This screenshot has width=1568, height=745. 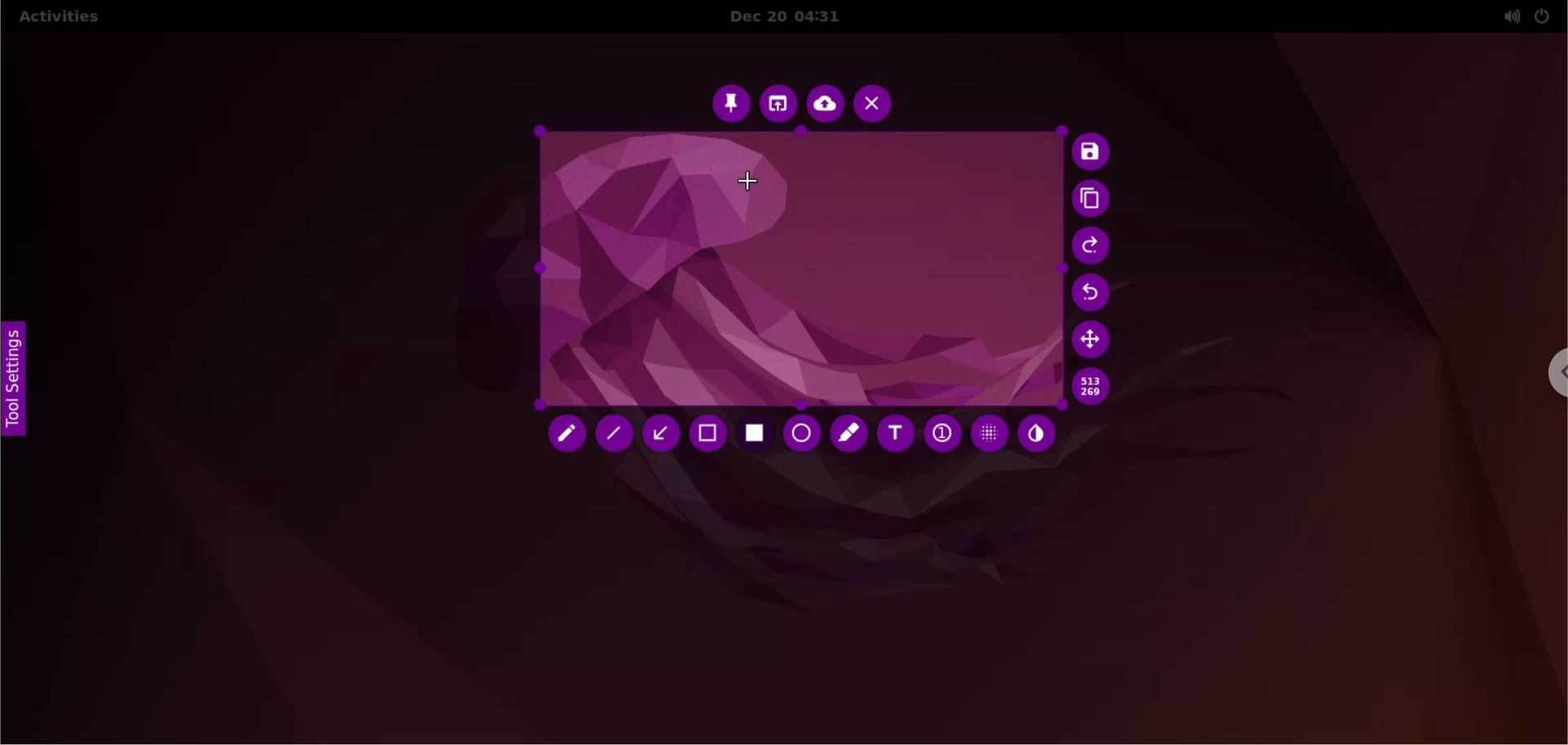 I want to click on inverter tool, so click(x=1037, y=433).